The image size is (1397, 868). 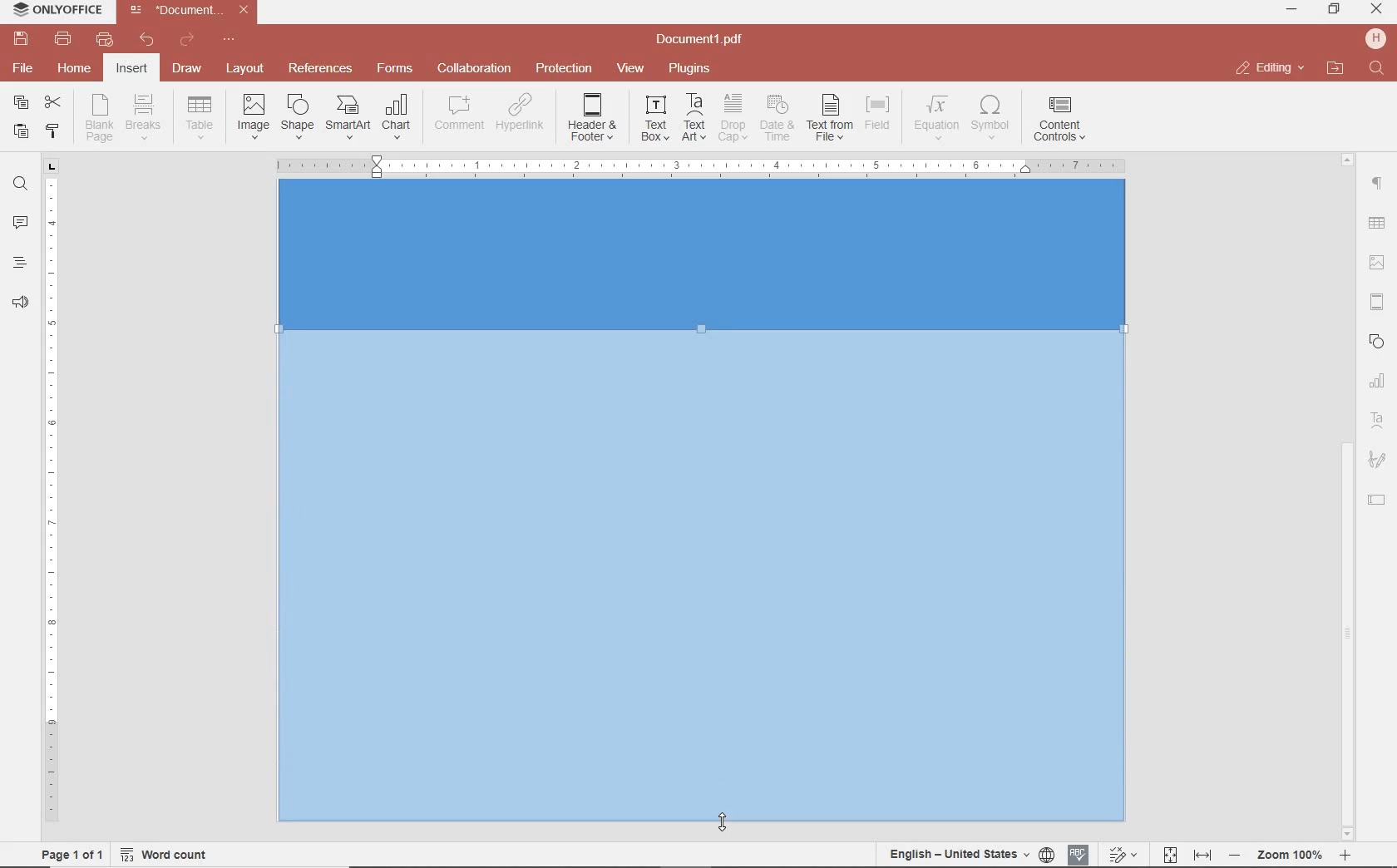 I want to click on file, so click(x=24, y=68).